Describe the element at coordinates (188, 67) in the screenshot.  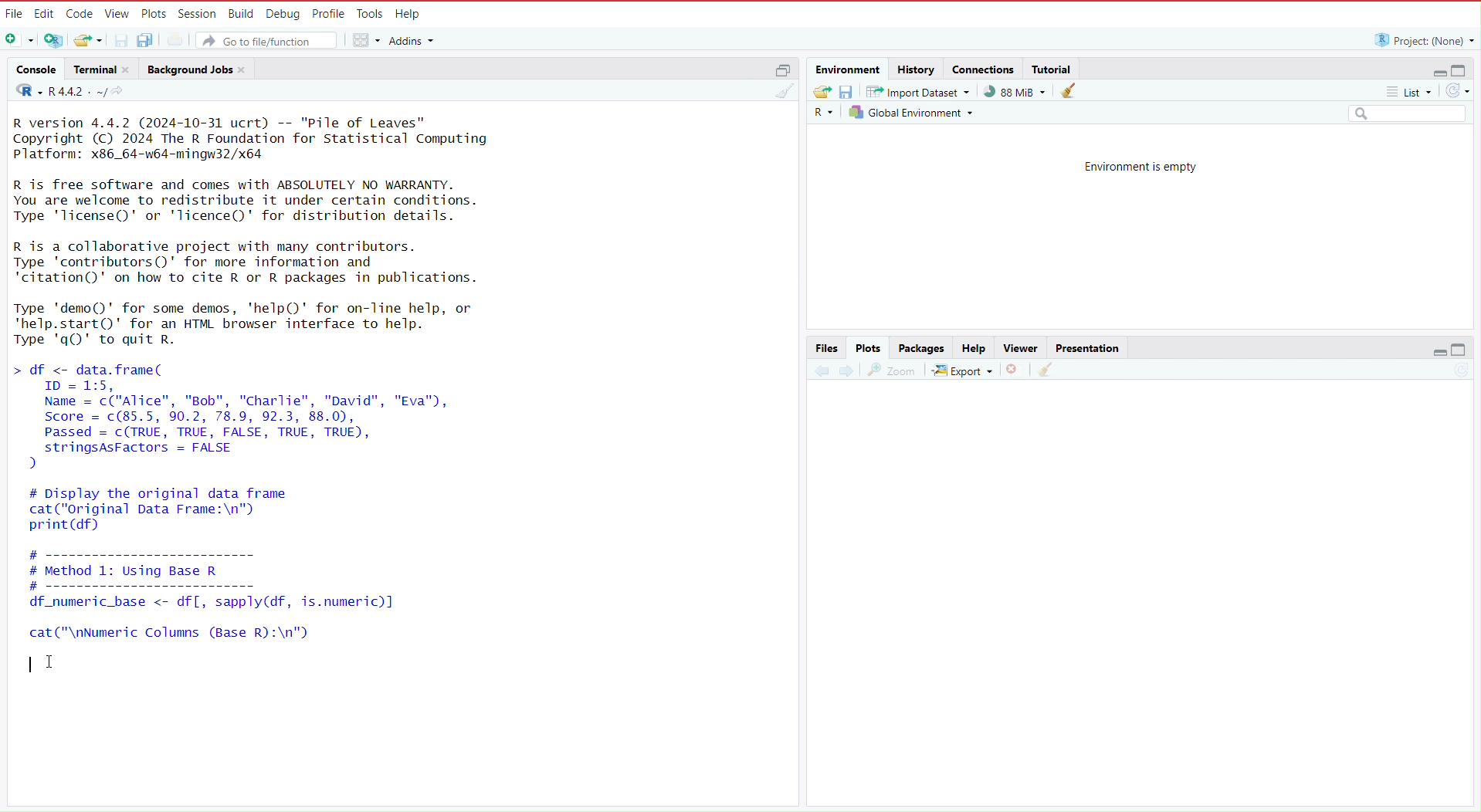
I see `Background jobs` at that location.